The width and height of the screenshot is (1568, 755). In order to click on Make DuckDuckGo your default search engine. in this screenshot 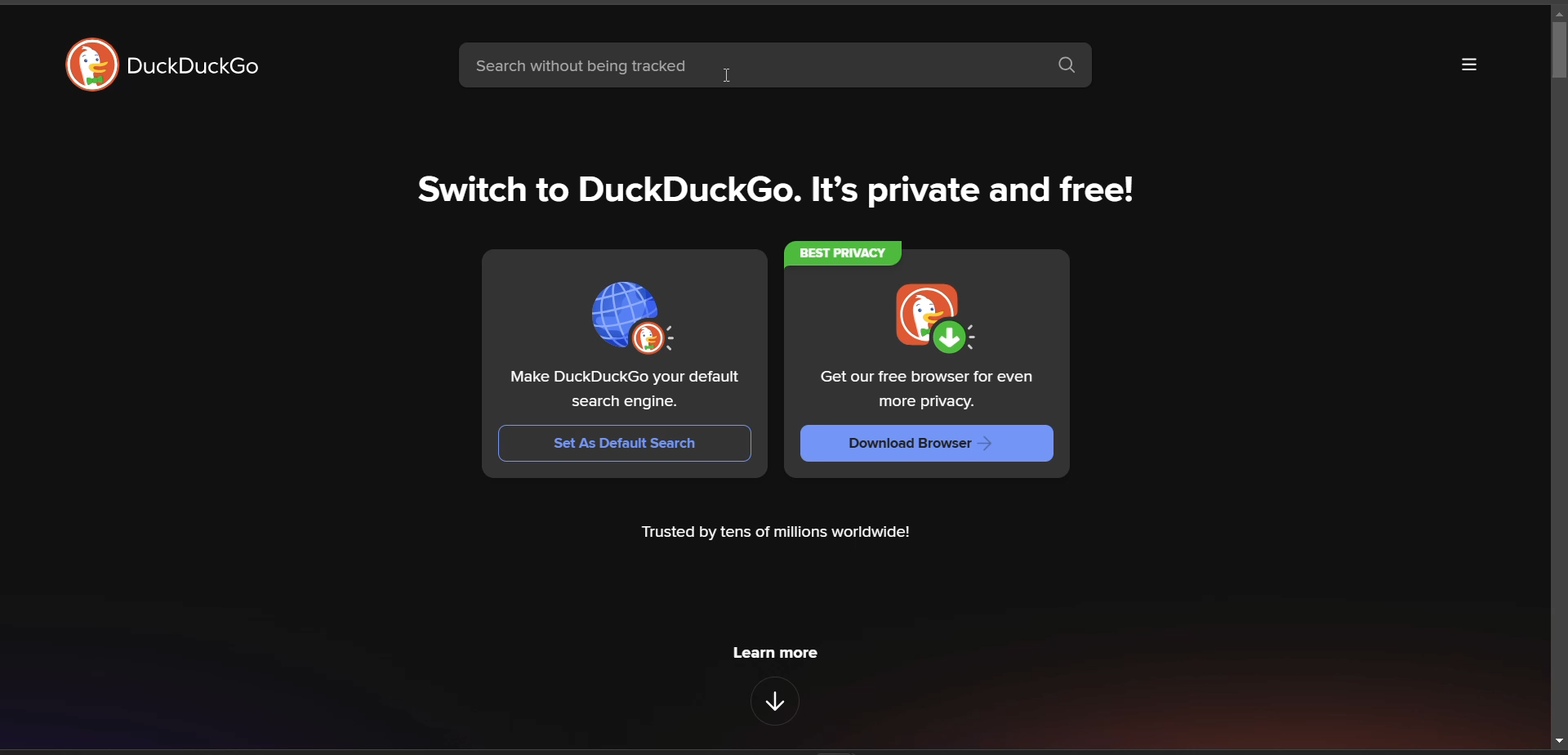, I will do `click(626, 391)`.